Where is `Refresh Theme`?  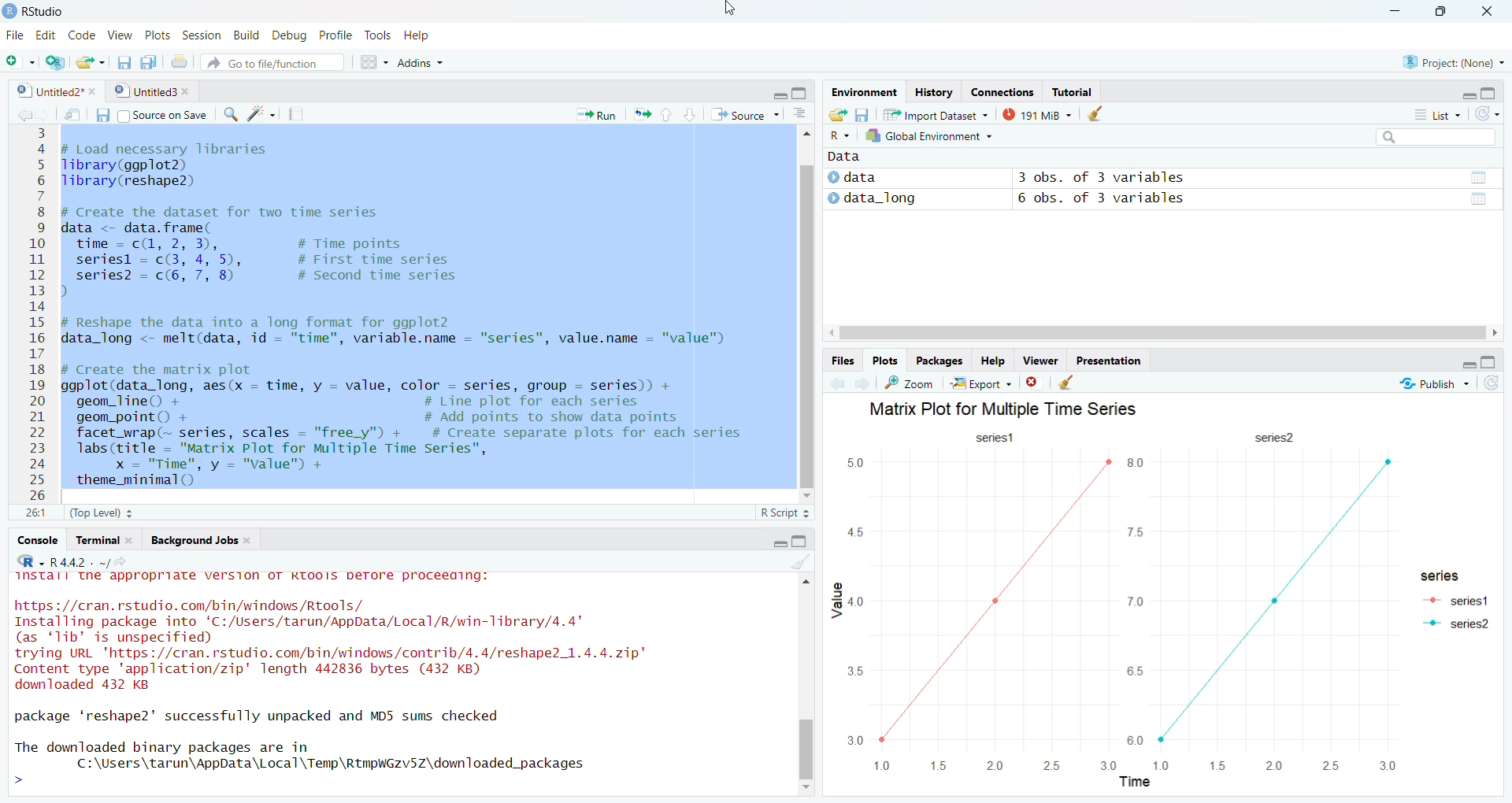
Refresh Theme is located at coordinates (1490, 383).